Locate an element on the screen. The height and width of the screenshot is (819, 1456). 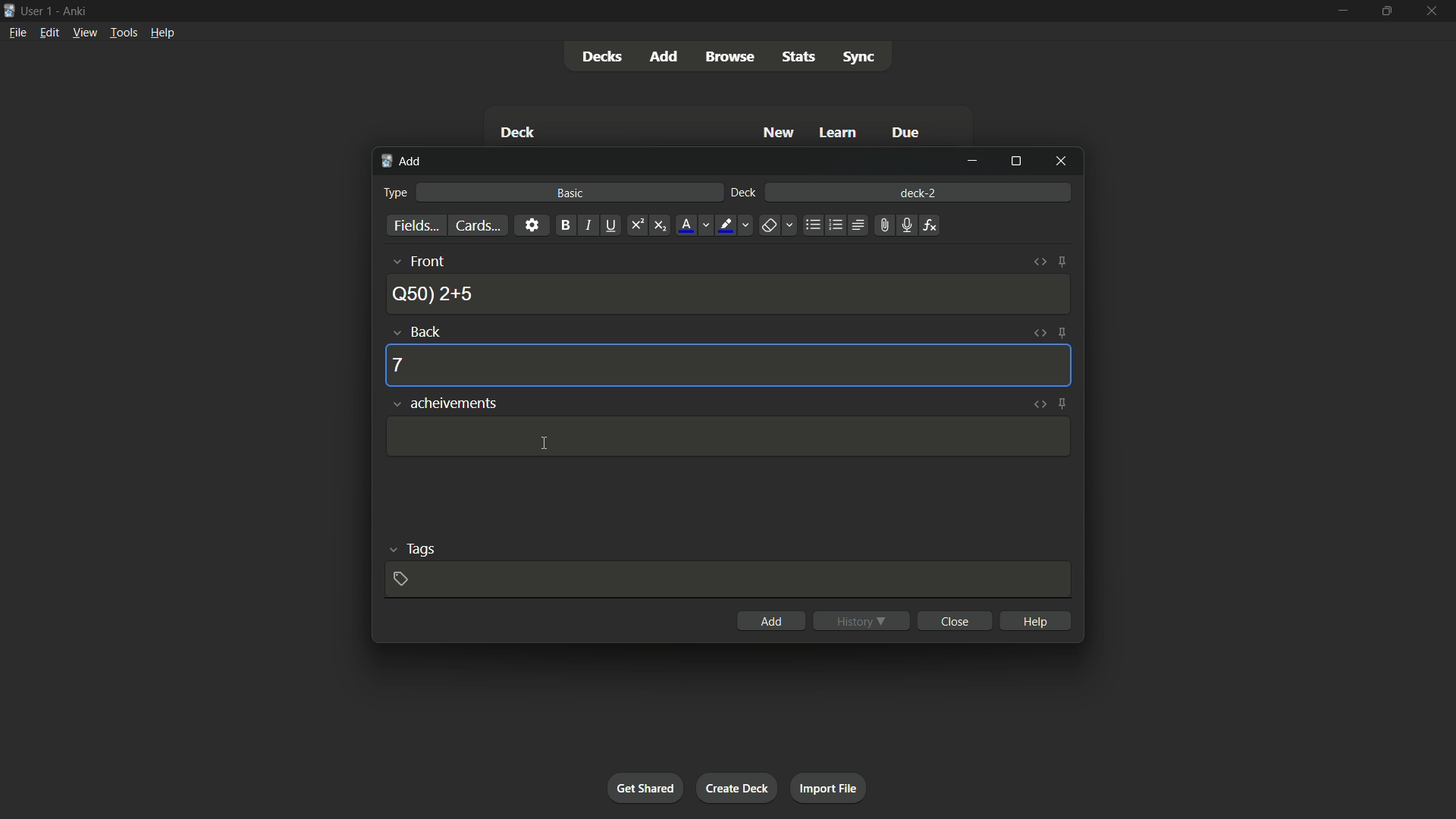
superscript is located at coordinates (636, 225).